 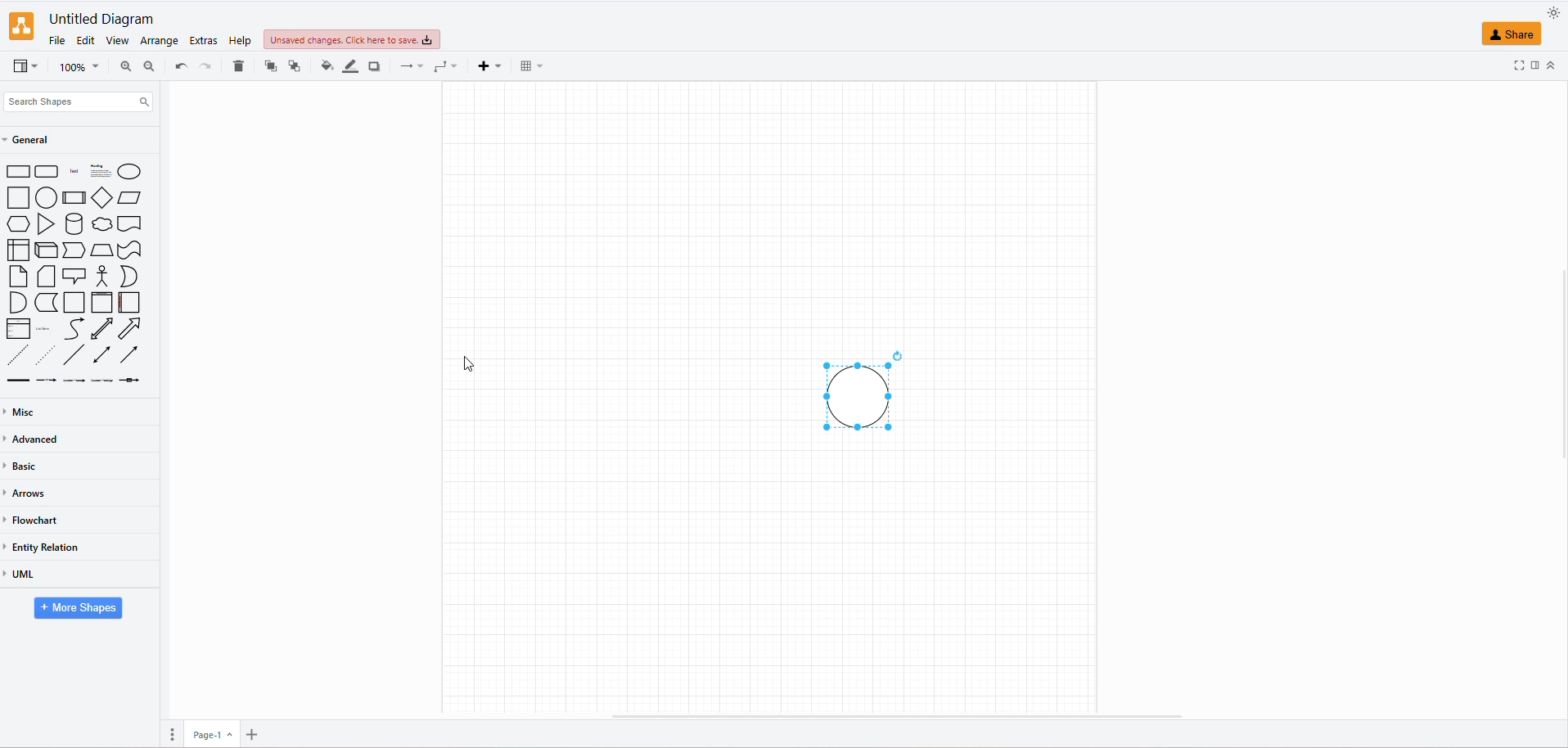 What do you see at coordinates (79, 68) in the screenshot?
I see `ZOOM` at bounding box center [79, 68].